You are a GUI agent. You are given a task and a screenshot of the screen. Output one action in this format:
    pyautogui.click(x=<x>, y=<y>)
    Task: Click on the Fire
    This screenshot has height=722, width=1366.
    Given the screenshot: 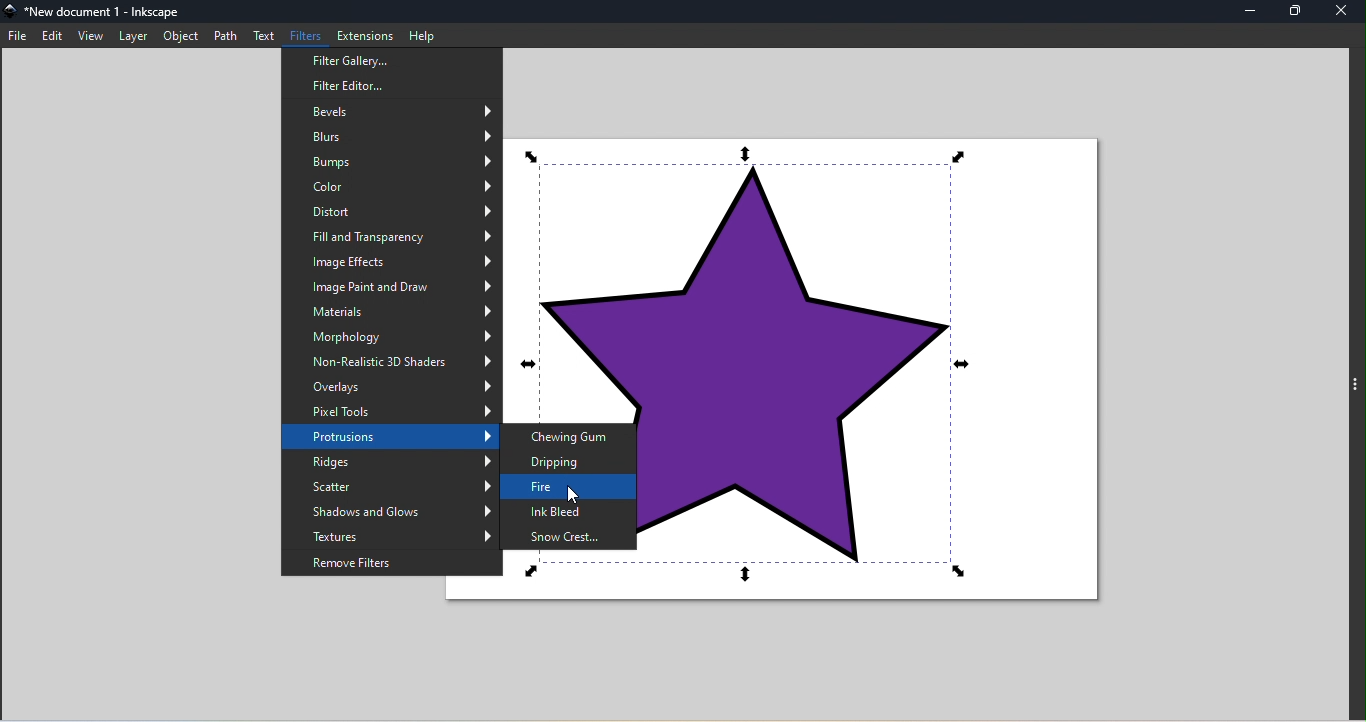 What is the action you would take?
    pyautogui.click(x=569, y=490)
    